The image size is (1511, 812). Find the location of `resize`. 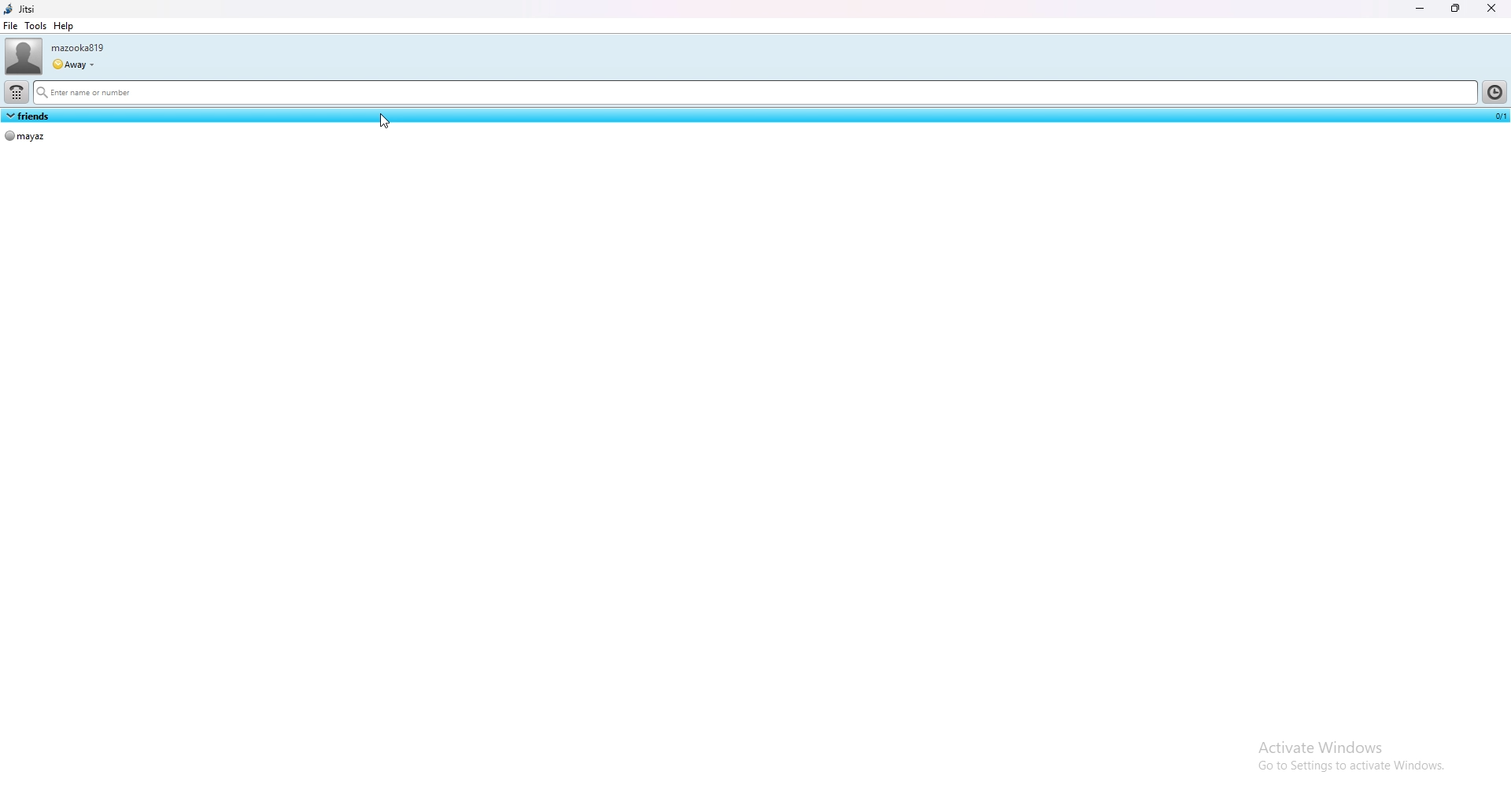

resize is located at coordinates (1454, 9).